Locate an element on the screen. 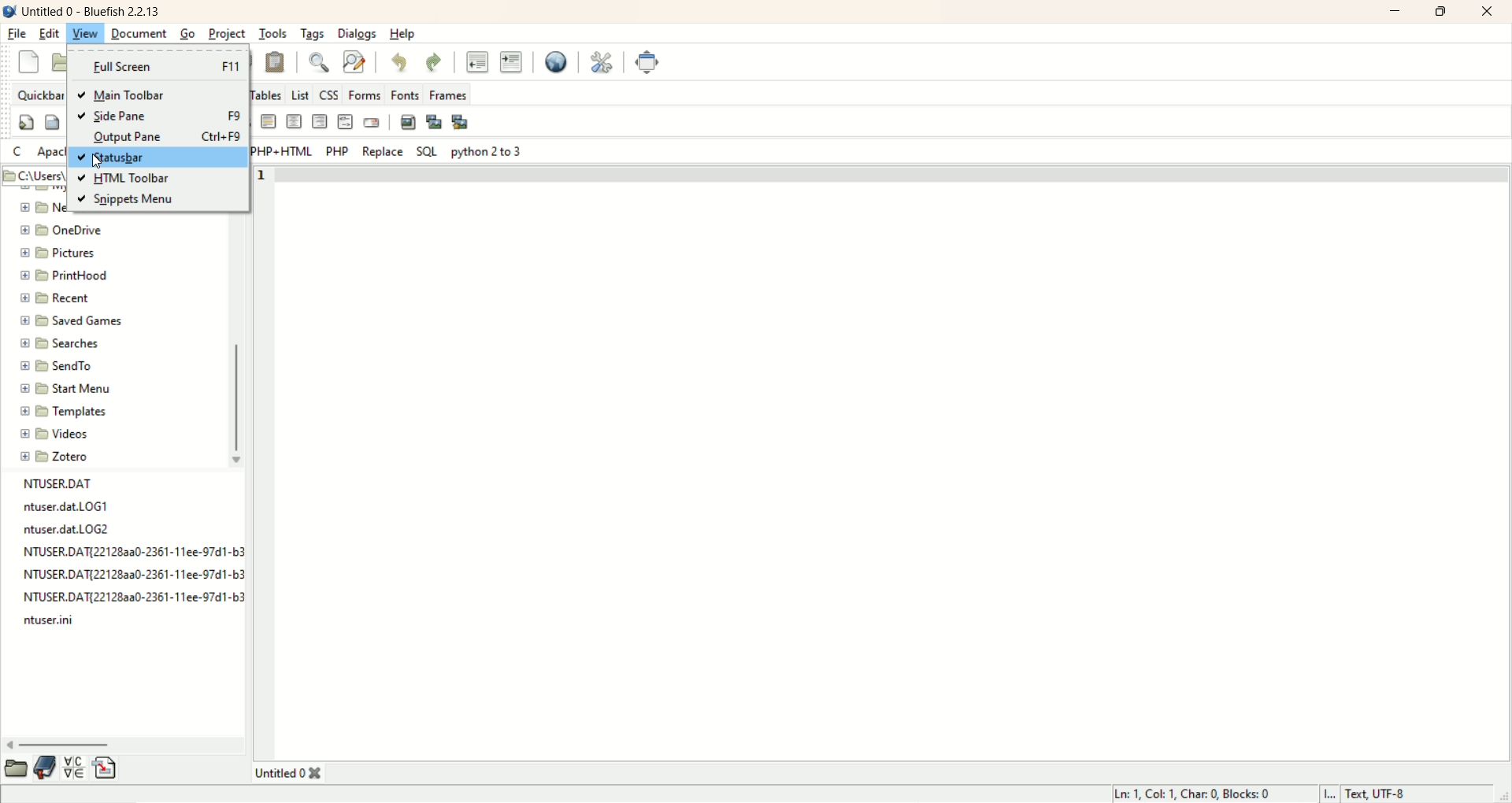 The width and height of the screenshot is (1512, 803). tables is located at coordinates (267, 95).